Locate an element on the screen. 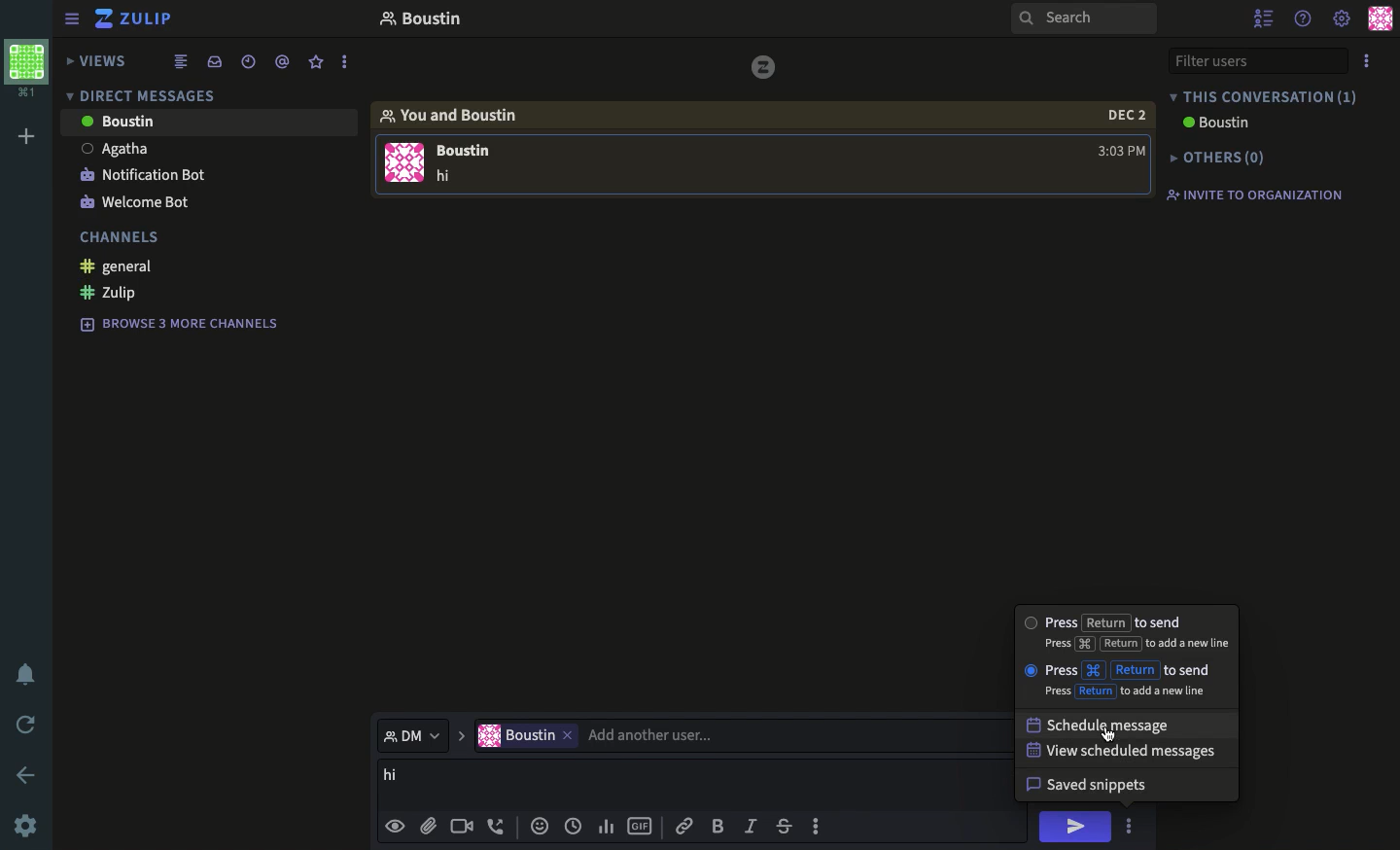  combined feed is located at coordinates (182, 63).